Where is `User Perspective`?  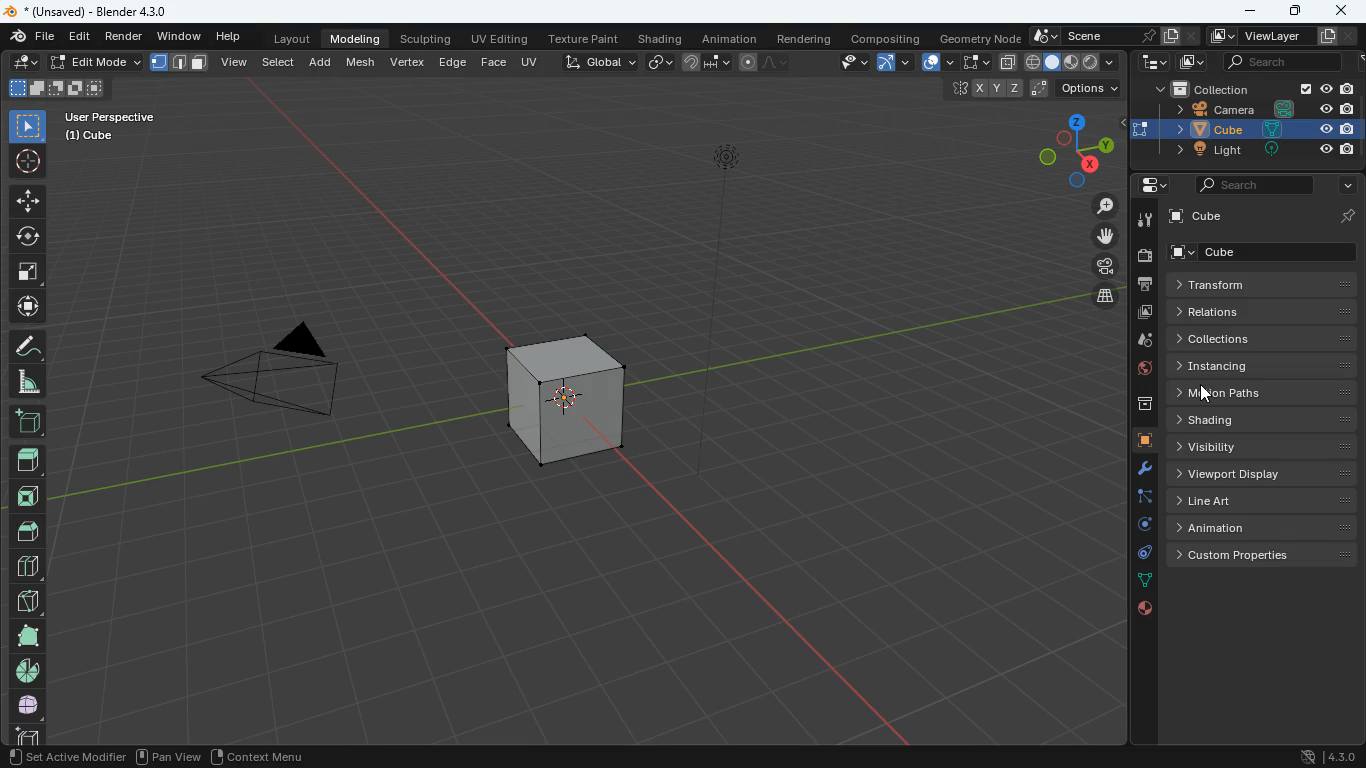
User Perspective is located at coordinates (110, 114).